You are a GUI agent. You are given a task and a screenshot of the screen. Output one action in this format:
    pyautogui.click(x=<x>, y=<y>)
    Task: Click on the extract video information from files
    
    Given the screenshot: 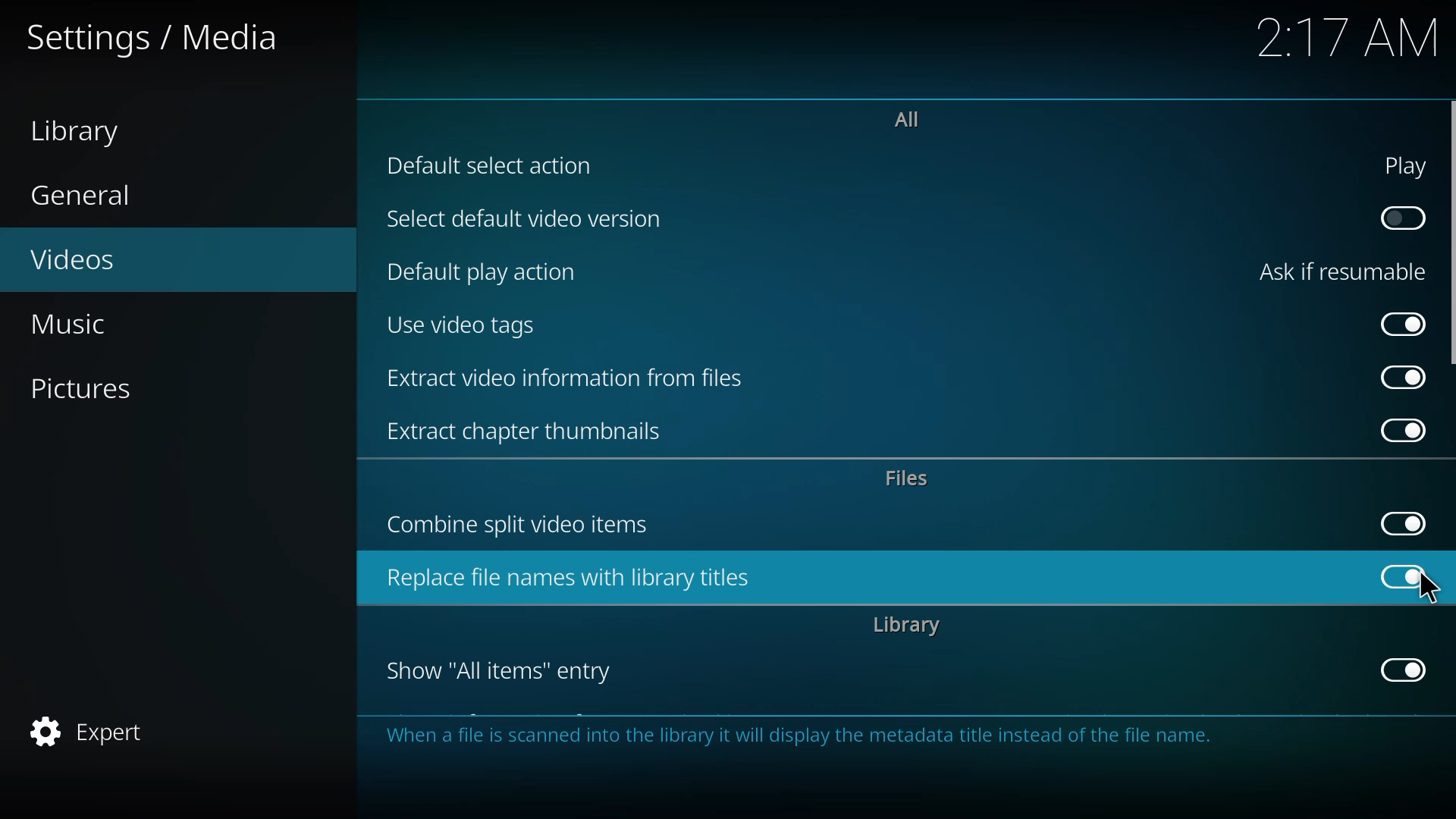 What is the action you would take?
    pyautogui.click(x=570, y=381)
    